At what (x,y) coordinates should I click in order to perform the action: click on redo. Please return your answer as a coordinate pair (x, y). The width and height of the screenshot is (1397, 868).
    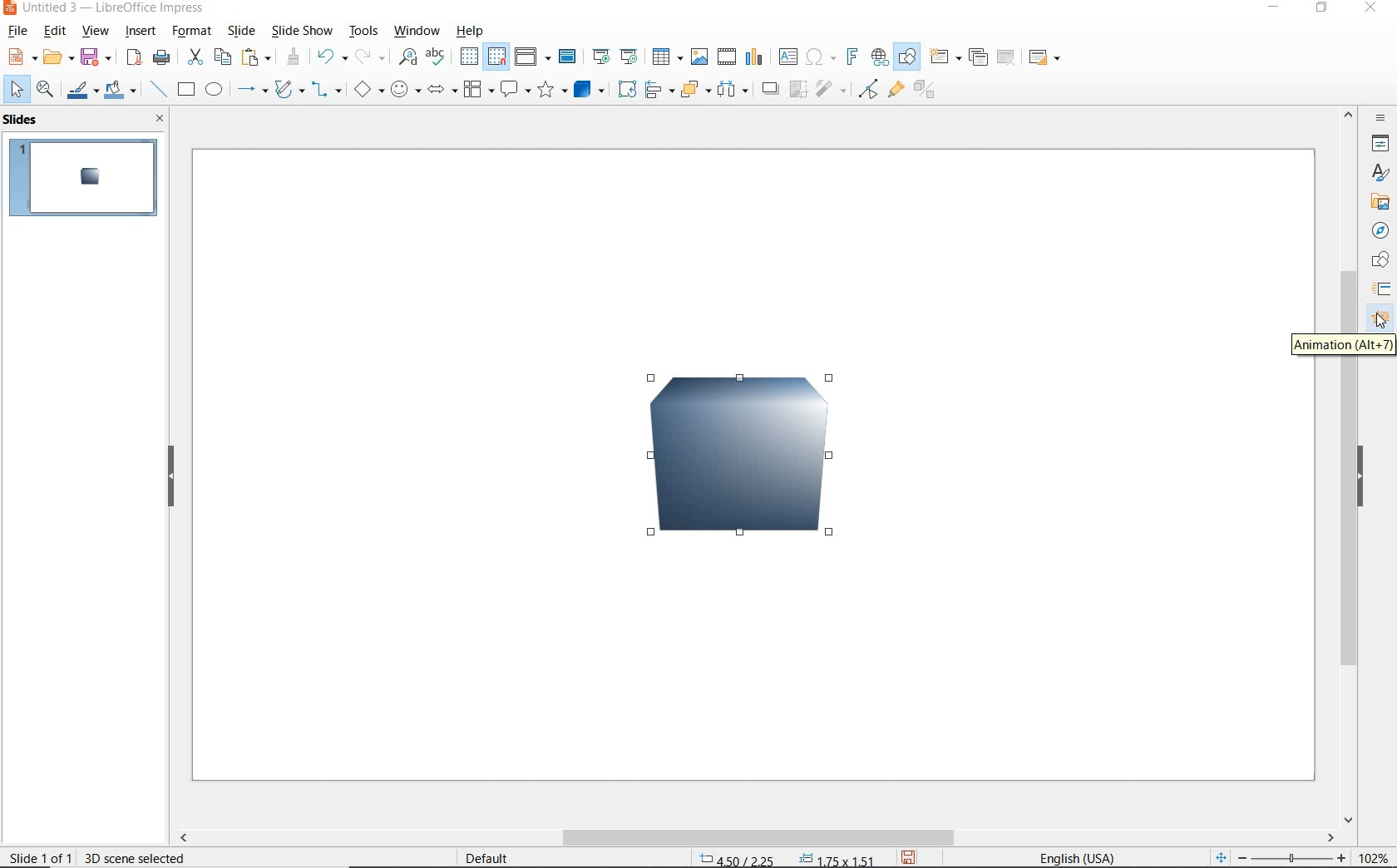
    Looking at the image, I should click on (368, 57).